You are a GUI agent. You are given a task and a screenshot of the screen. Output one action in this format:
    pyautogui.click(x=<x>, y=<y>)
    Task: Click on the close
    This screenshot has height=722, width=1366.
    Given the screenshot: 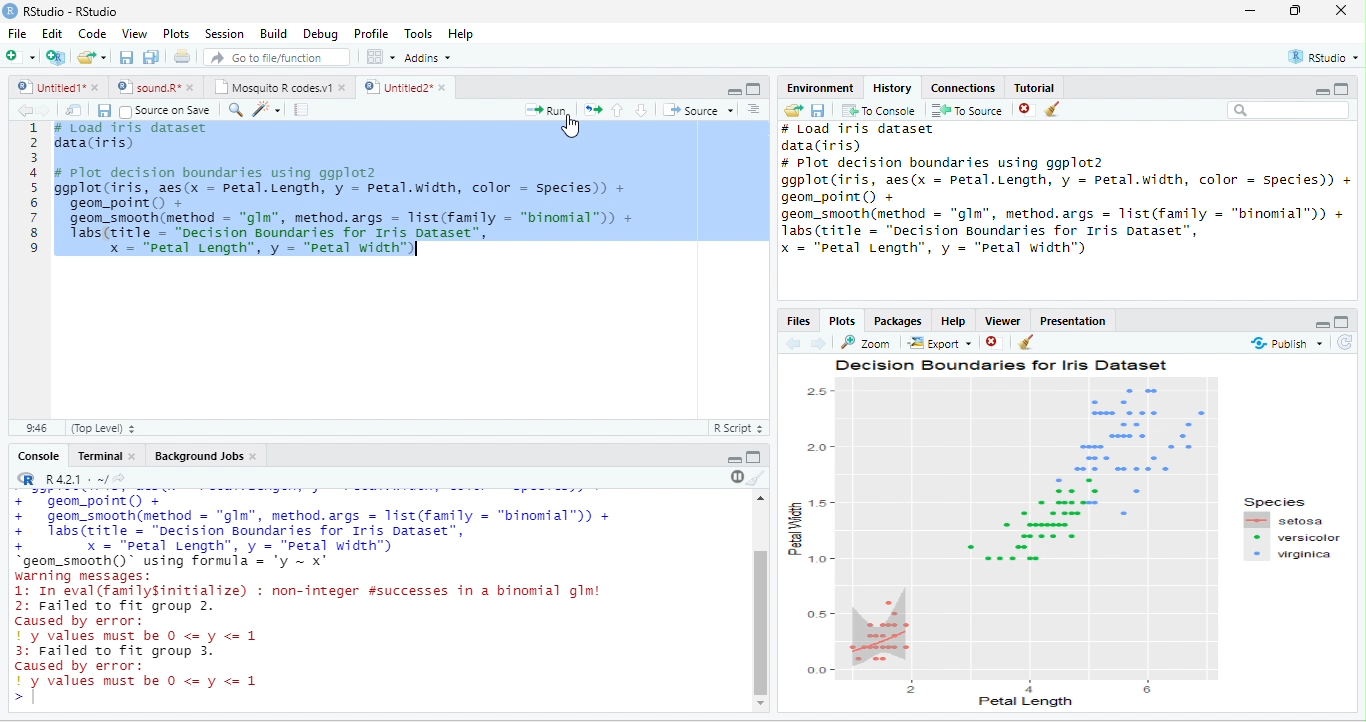 What is the action you would take?
    pyautogui.click(x=1341, y=10)
    